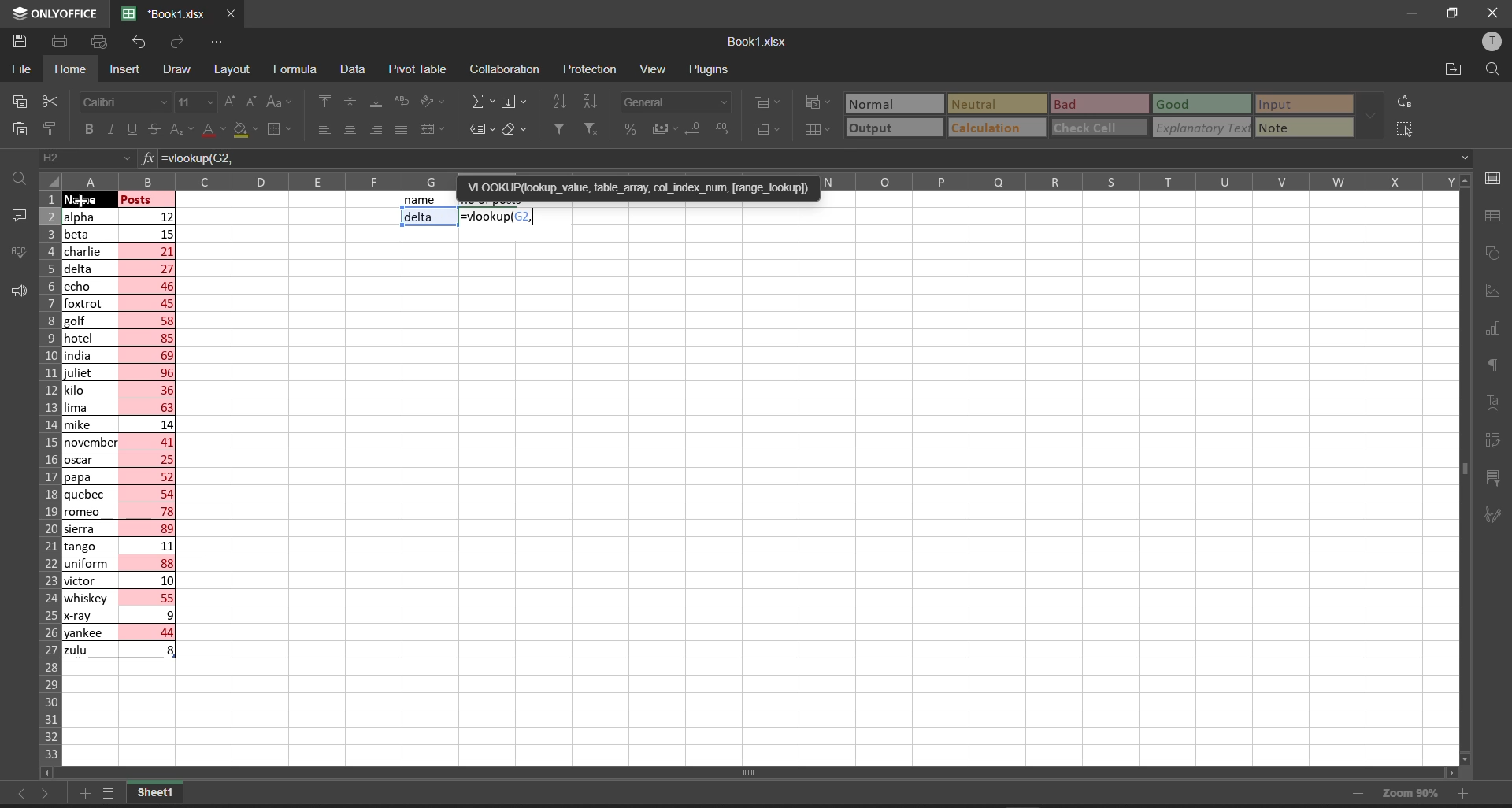  Describe the element at coordinates (636, 195) in the screenshot. I see `'VLOOKUP(lookup_value, table_array, col_index_num, [range_lookup])=` at that location.